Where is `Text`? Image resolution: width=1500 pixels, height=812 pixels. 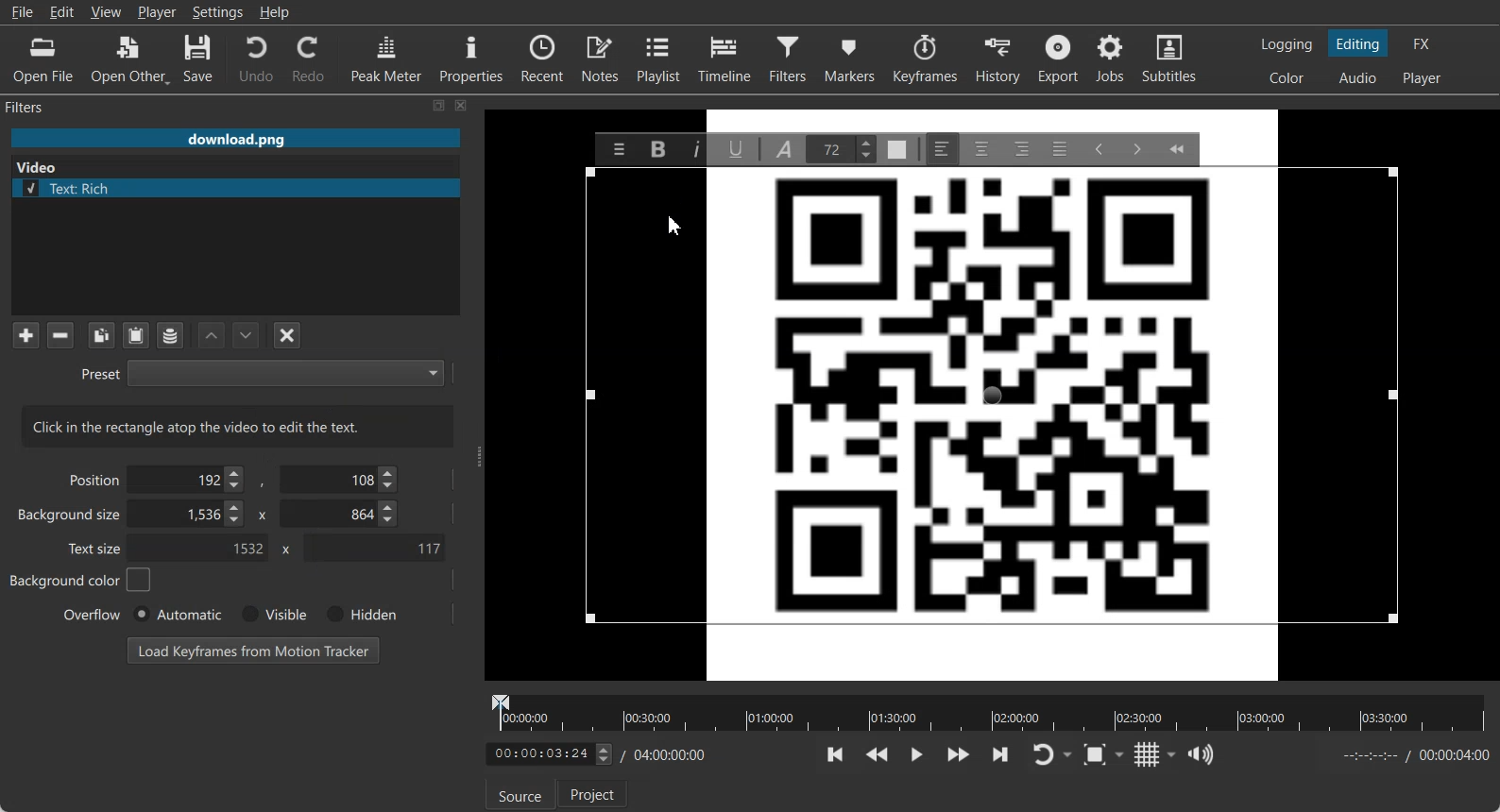 Text is located at coordinates (238, 426).